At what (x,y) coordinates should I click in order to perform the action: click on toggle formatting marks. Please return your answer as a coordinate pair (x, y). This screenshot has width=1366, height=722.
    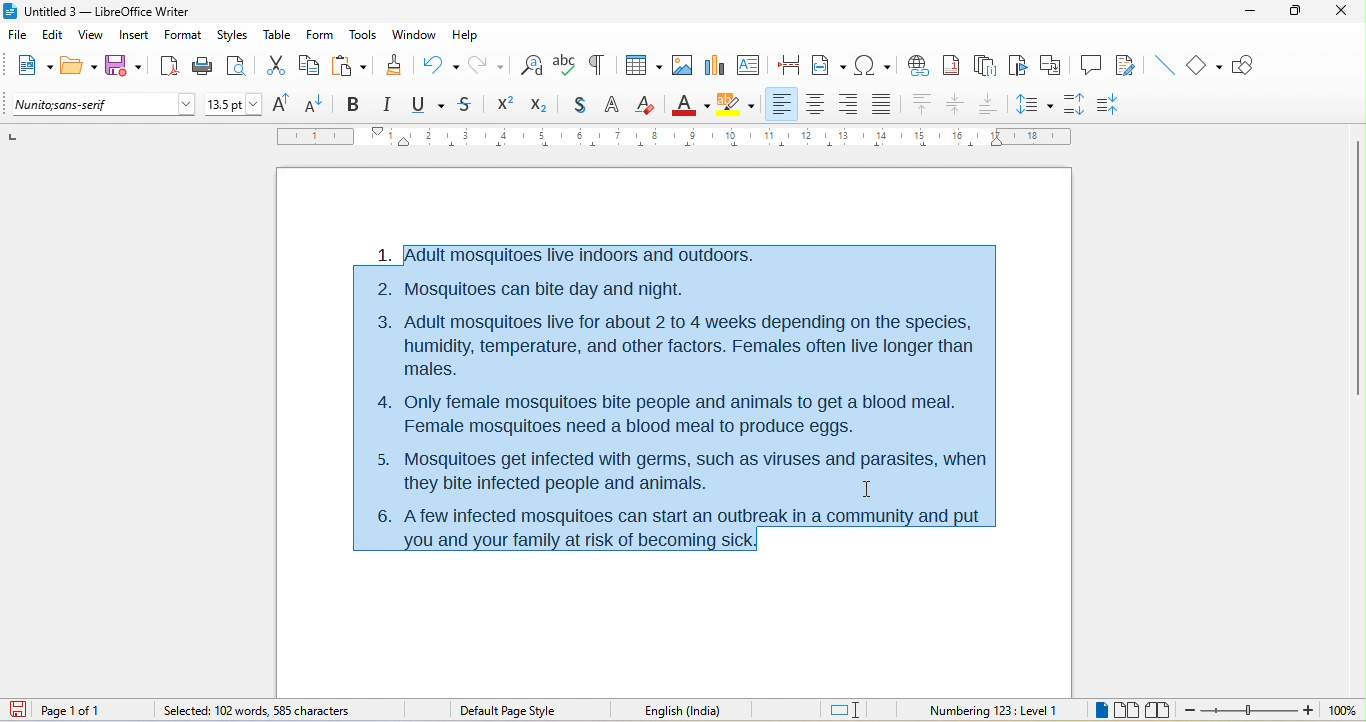
    Looking at the image, I should click on (601, 65).